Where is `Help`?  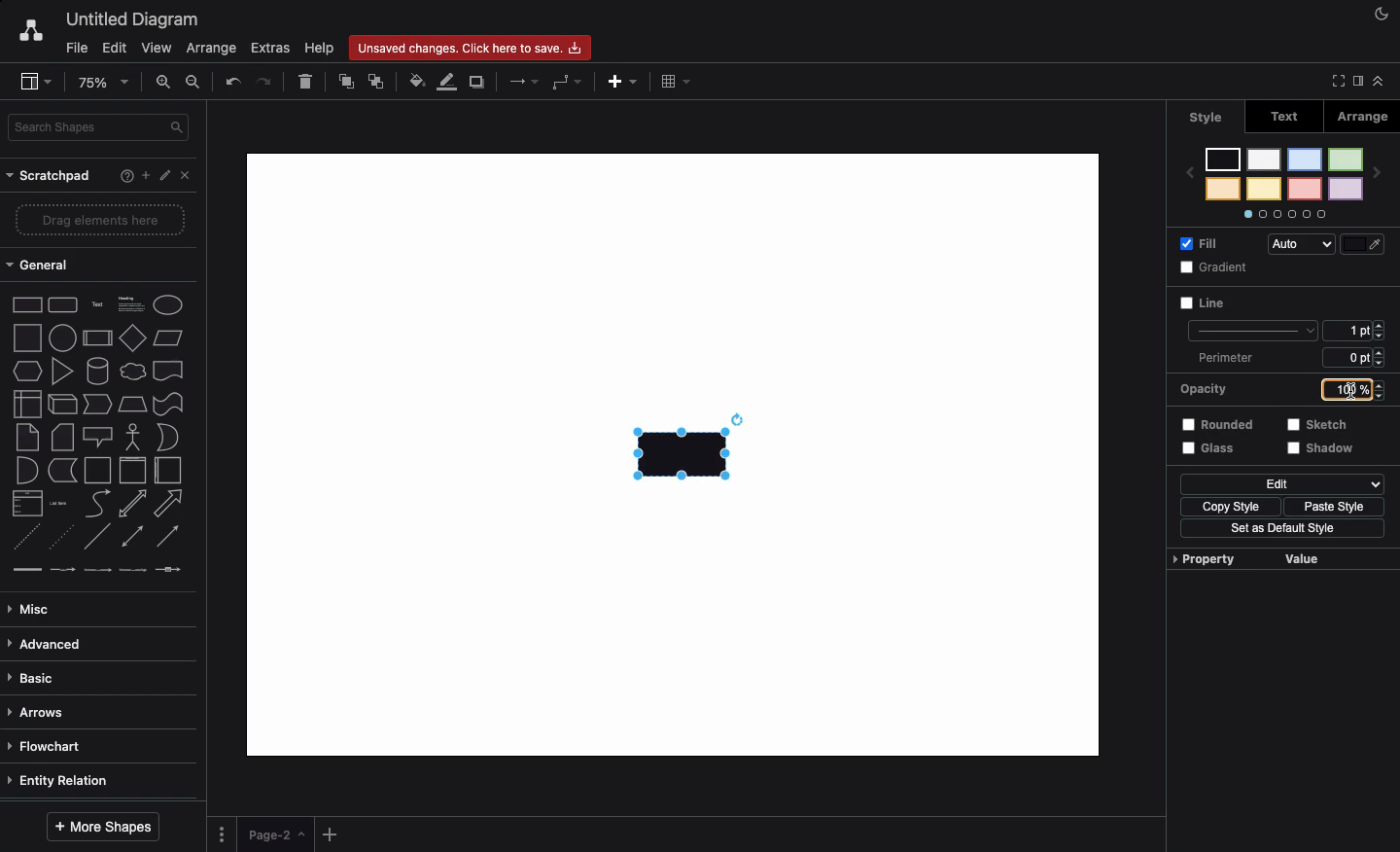
Help is located at coordinates (122, 176).